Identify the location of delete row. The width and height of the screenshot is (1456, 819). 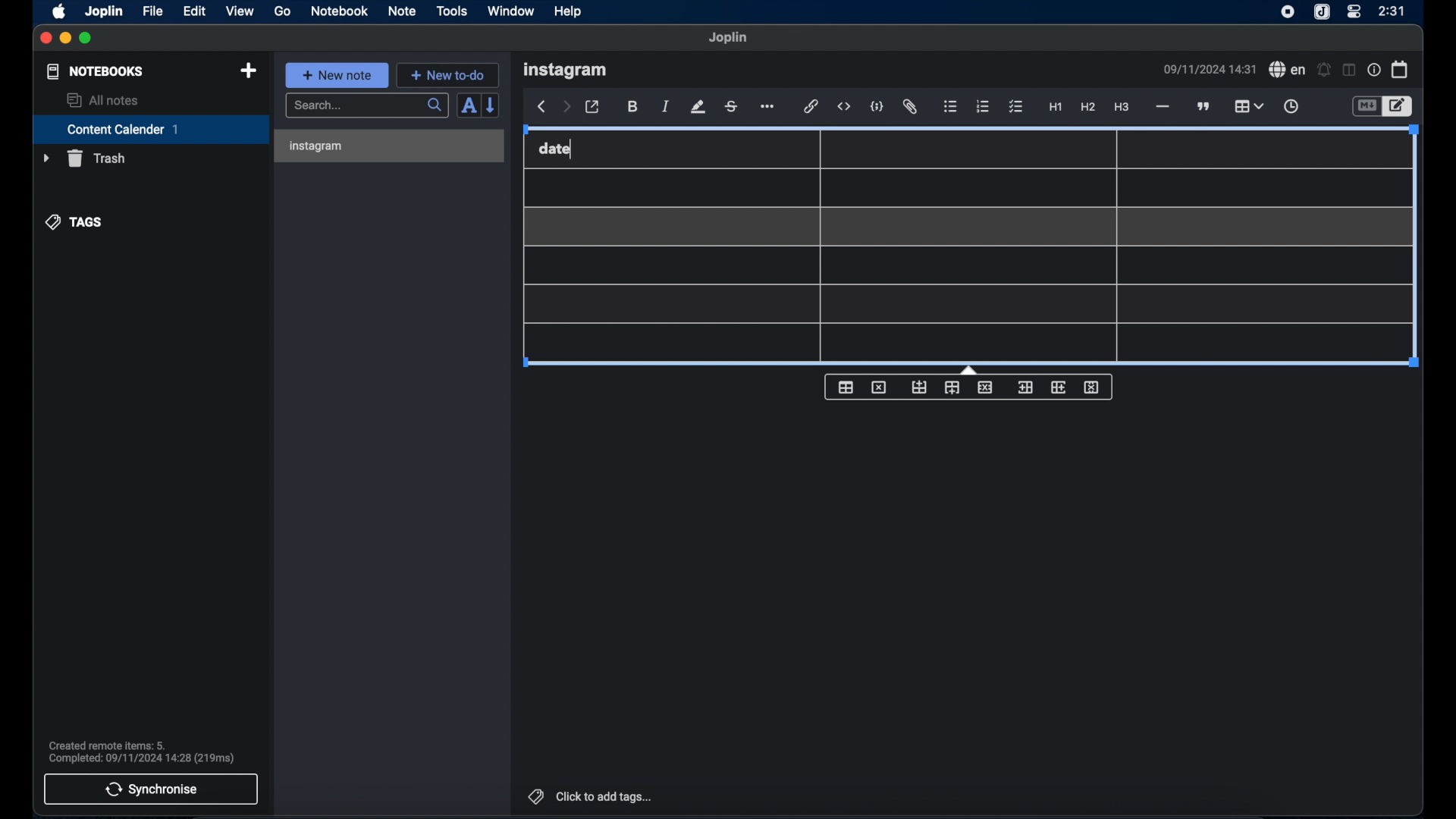
(984, 387).